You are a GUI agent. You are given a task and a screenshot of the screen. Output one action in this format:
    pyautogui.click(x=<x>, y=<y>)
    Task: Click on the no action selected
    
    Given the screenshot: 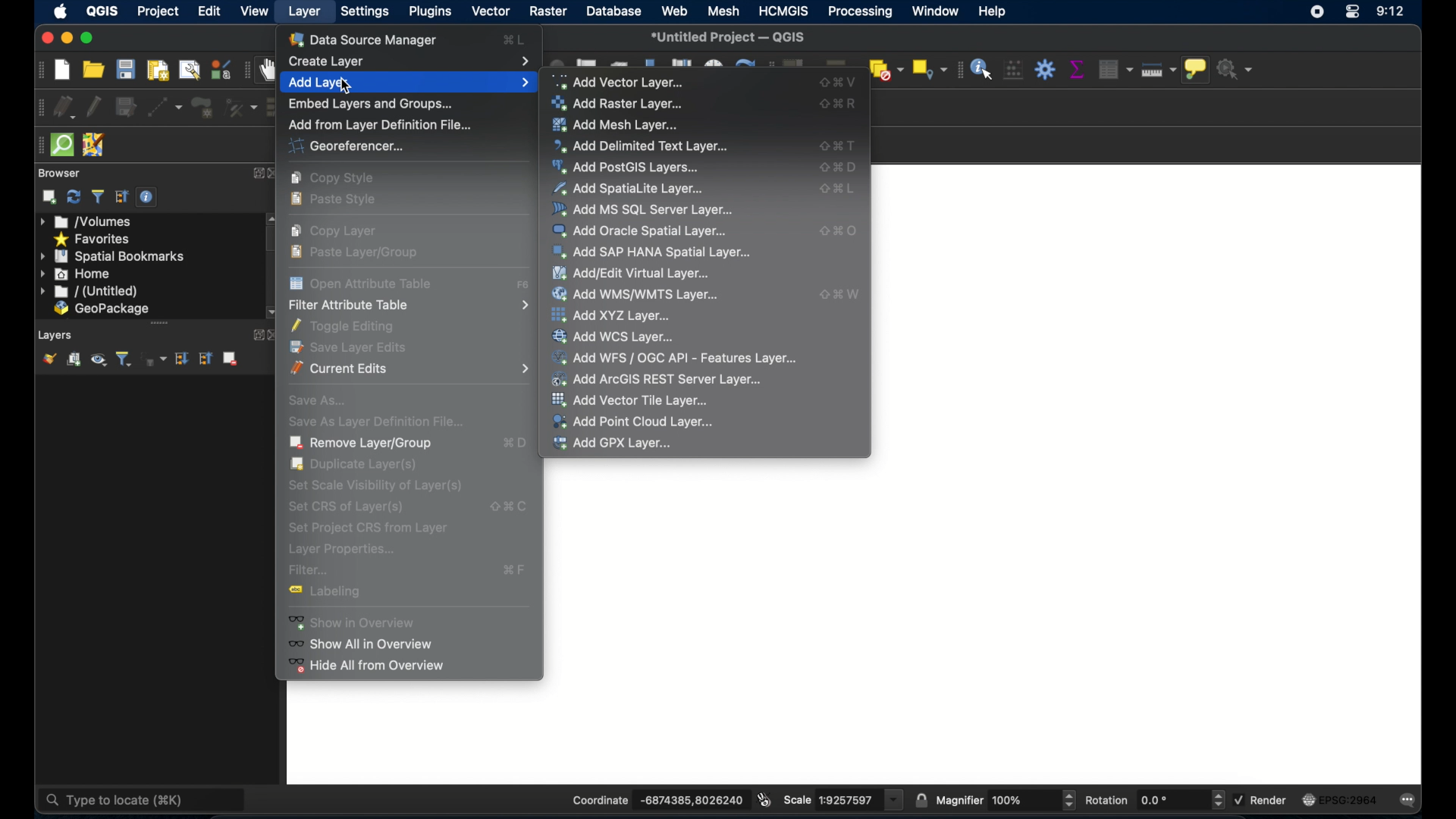 What is the action you would take?
    pyautogui.click(x=1241, y=69)
    